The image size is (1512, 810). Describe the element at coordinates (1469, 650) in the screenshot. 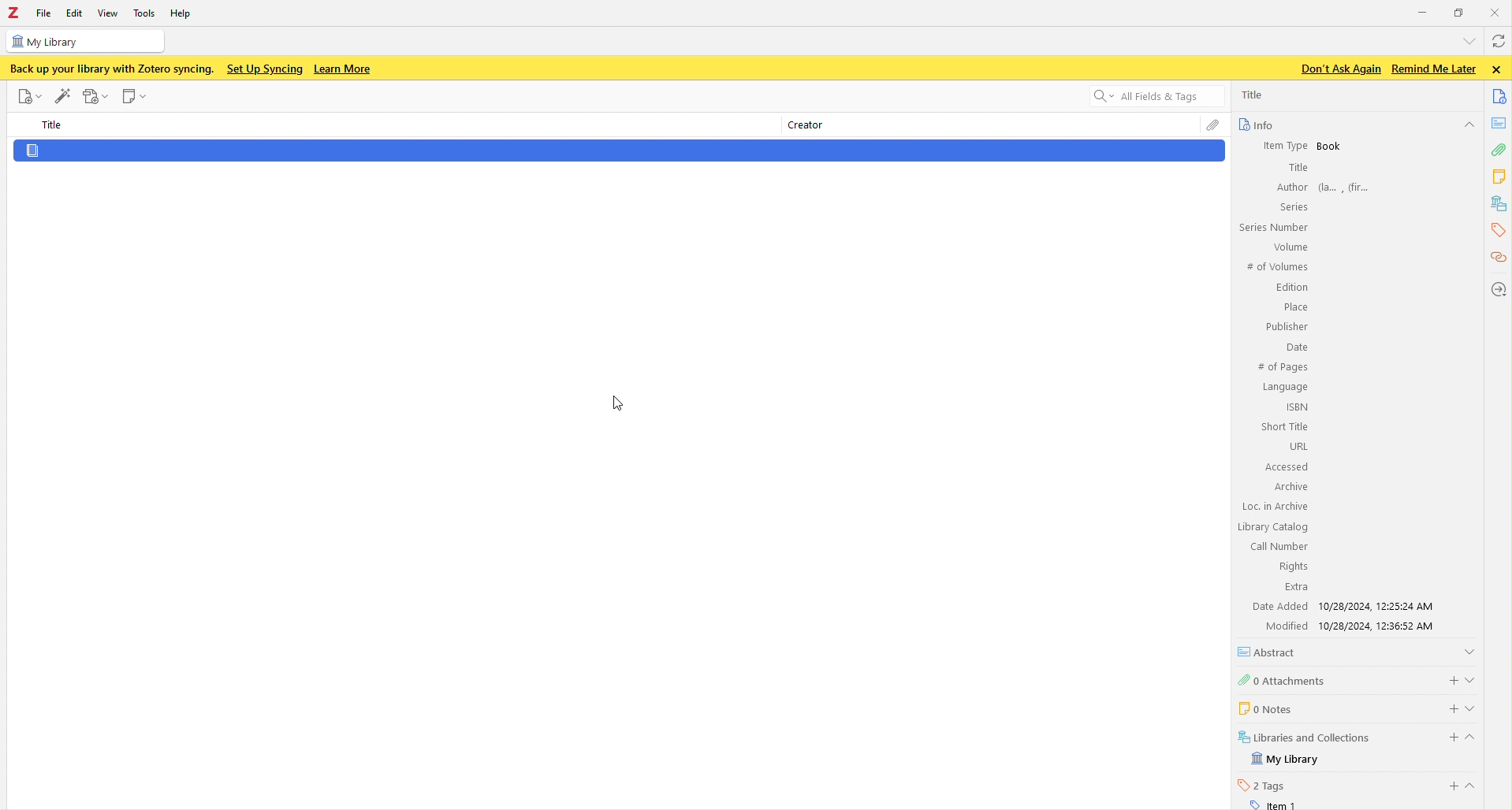

I see `show` at that location.